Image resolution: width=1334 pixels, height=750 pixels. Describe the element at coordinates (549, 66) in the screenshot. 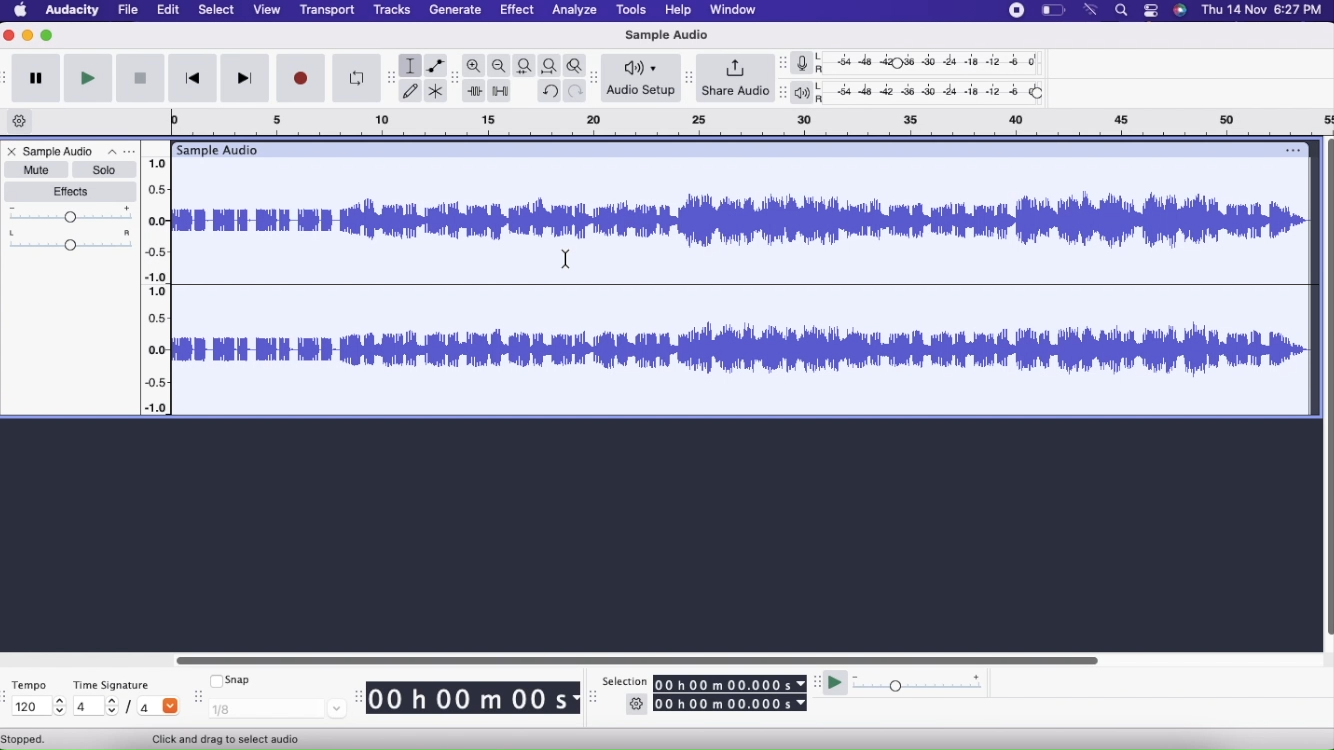

I see `Fit Project to width` at that location.